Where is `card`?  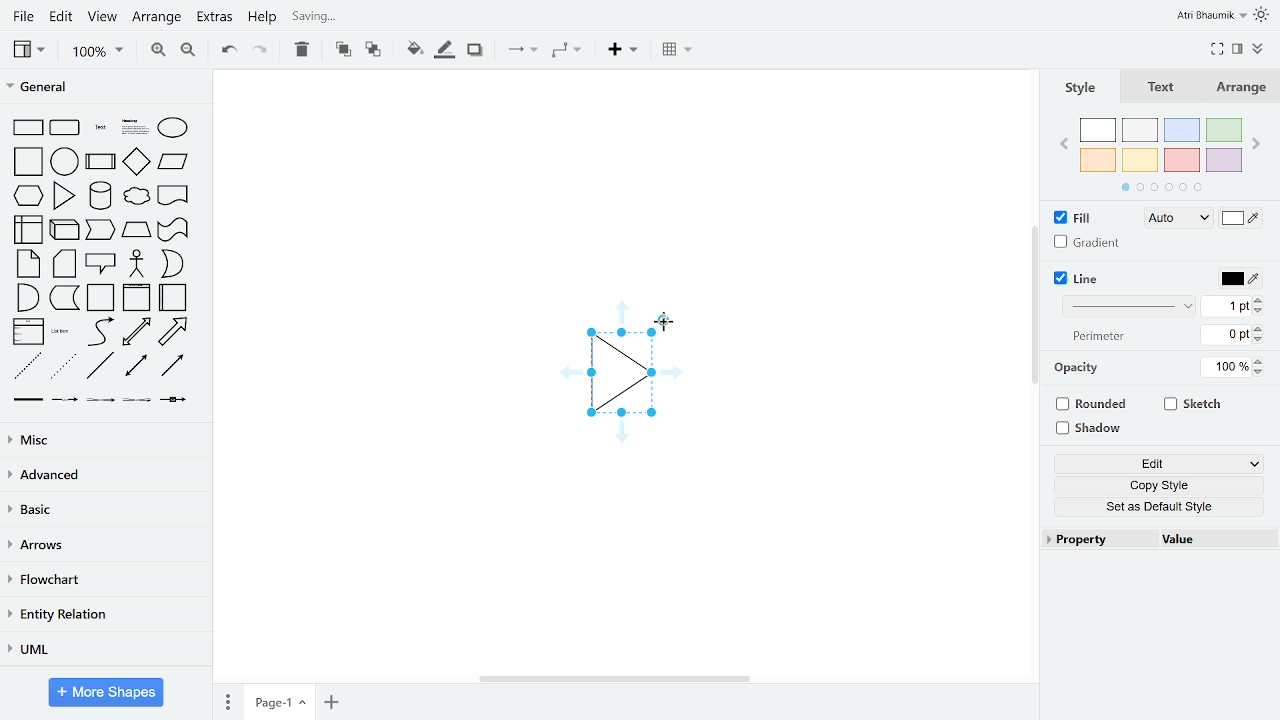 card is located at coordinates (64, 264).